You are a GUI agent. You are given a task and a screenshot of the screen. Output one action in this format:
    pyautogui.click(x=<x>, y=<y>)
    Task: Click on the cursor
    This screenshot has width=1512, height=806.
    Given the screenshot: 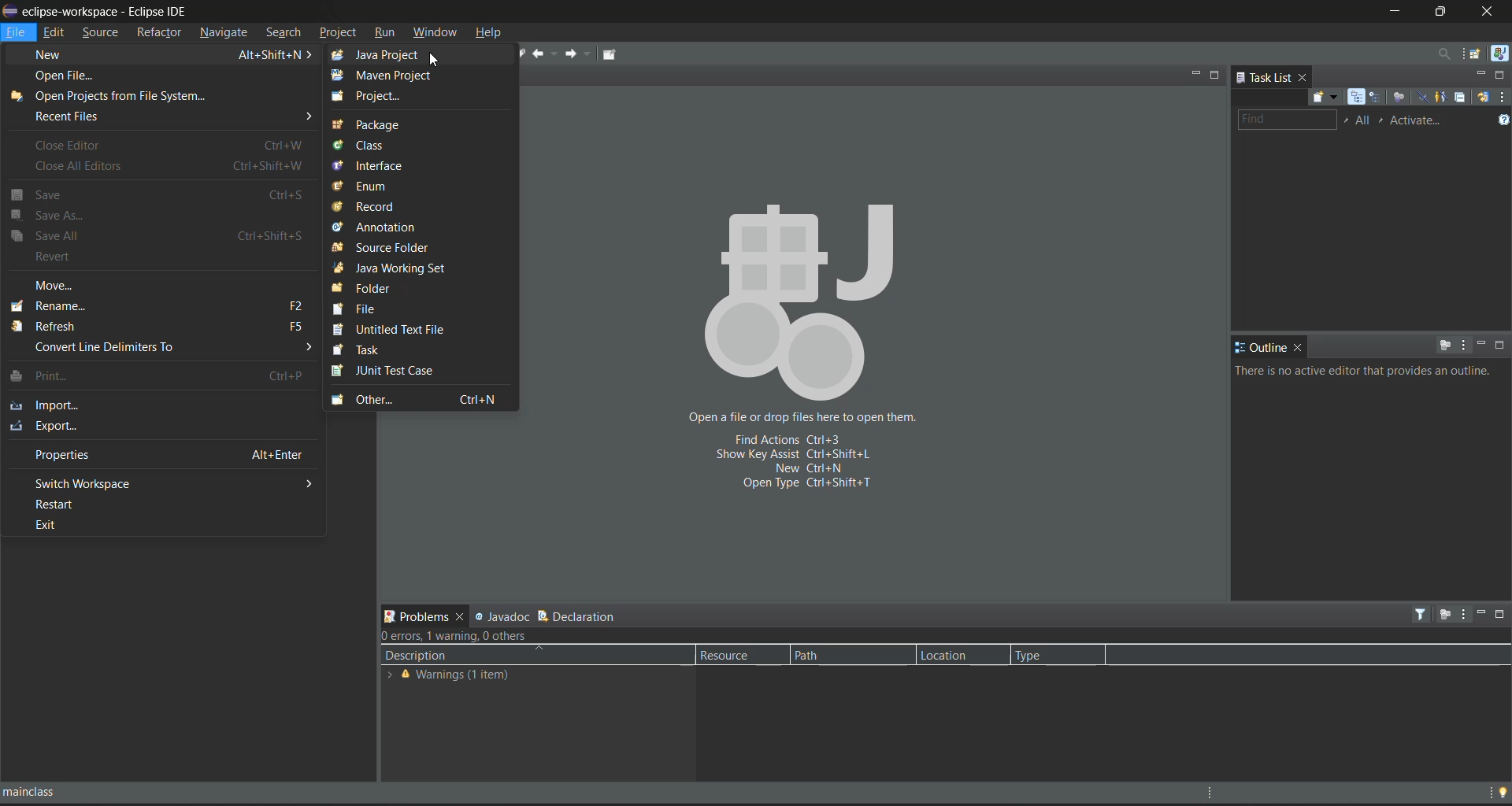 What is the action you would take?
    pyautogui.click(x=431, y=57)
    